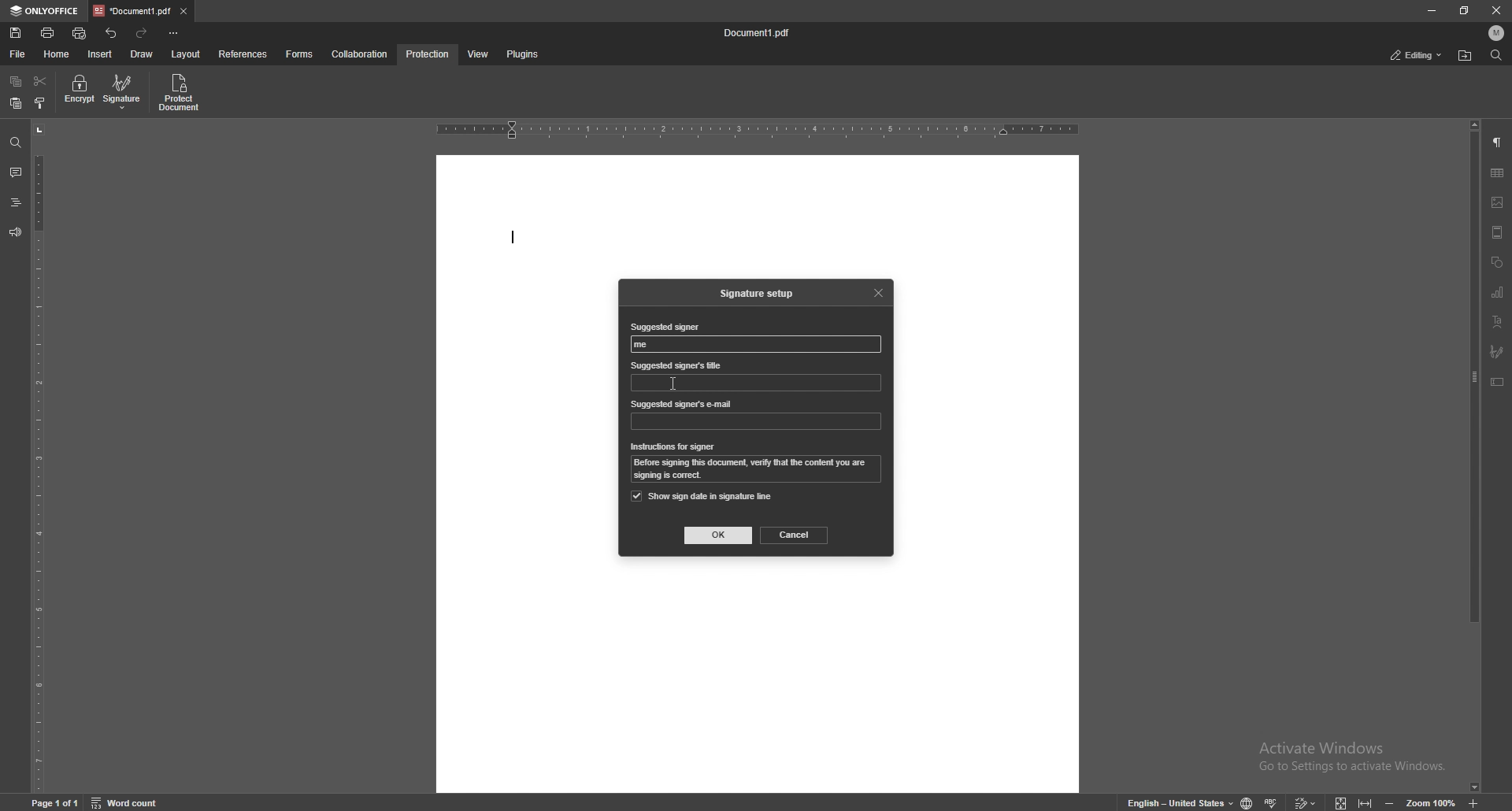 Image resolution: width=1512 pixels, height=811 pixels. What do you see at coordinates (173, 32) in the screenshot?
I see `customize toolbar` at bounding box center [173, 32].